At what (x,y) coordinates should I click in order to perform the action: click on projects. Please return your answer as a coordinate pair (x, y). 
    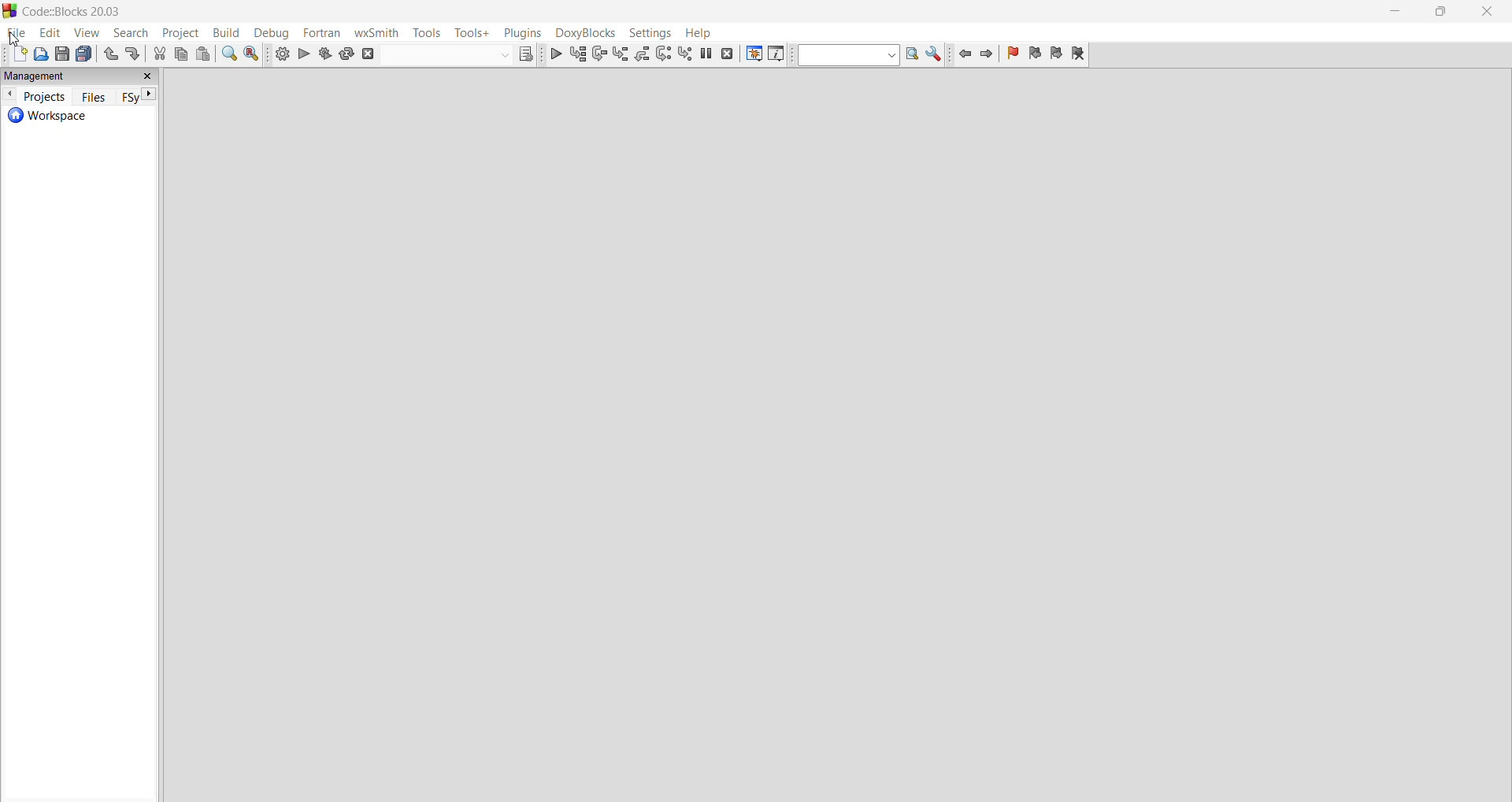
    Looking at the image, I should click on (46, 95).